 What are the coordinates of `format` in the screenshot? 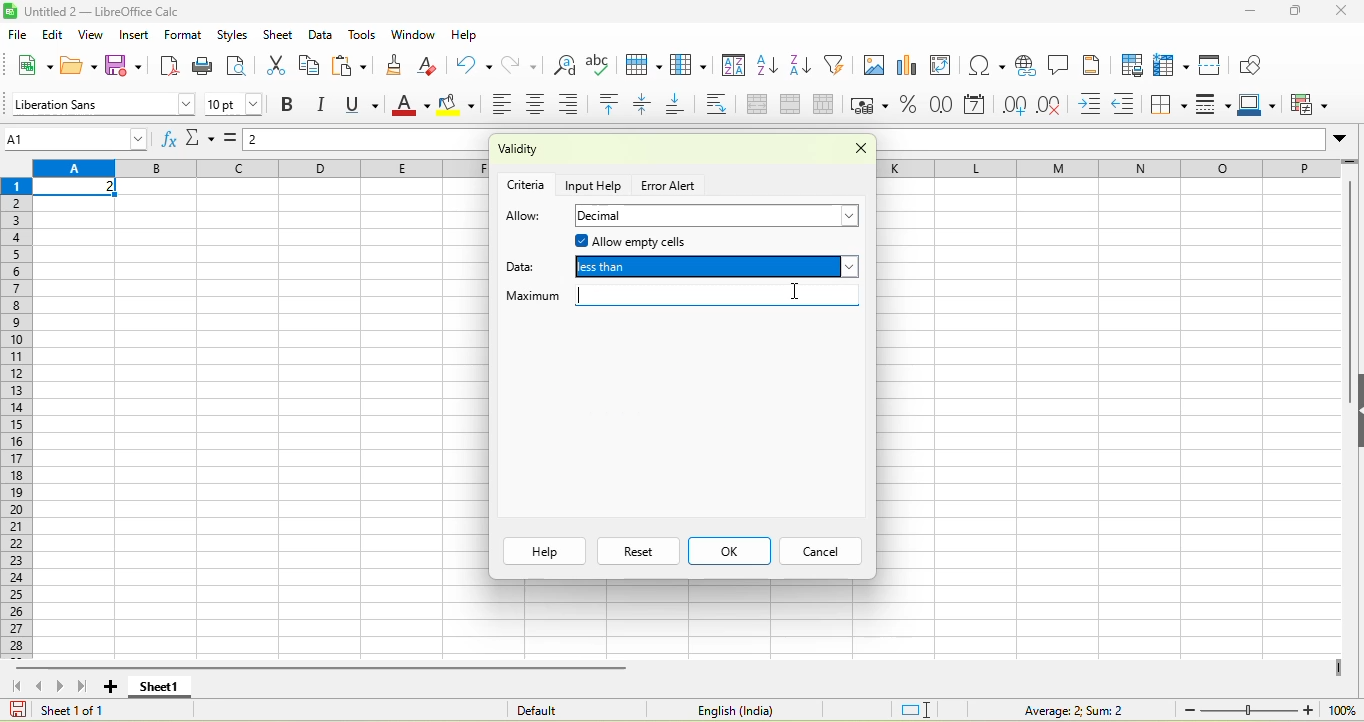 It's located at (186, 34).